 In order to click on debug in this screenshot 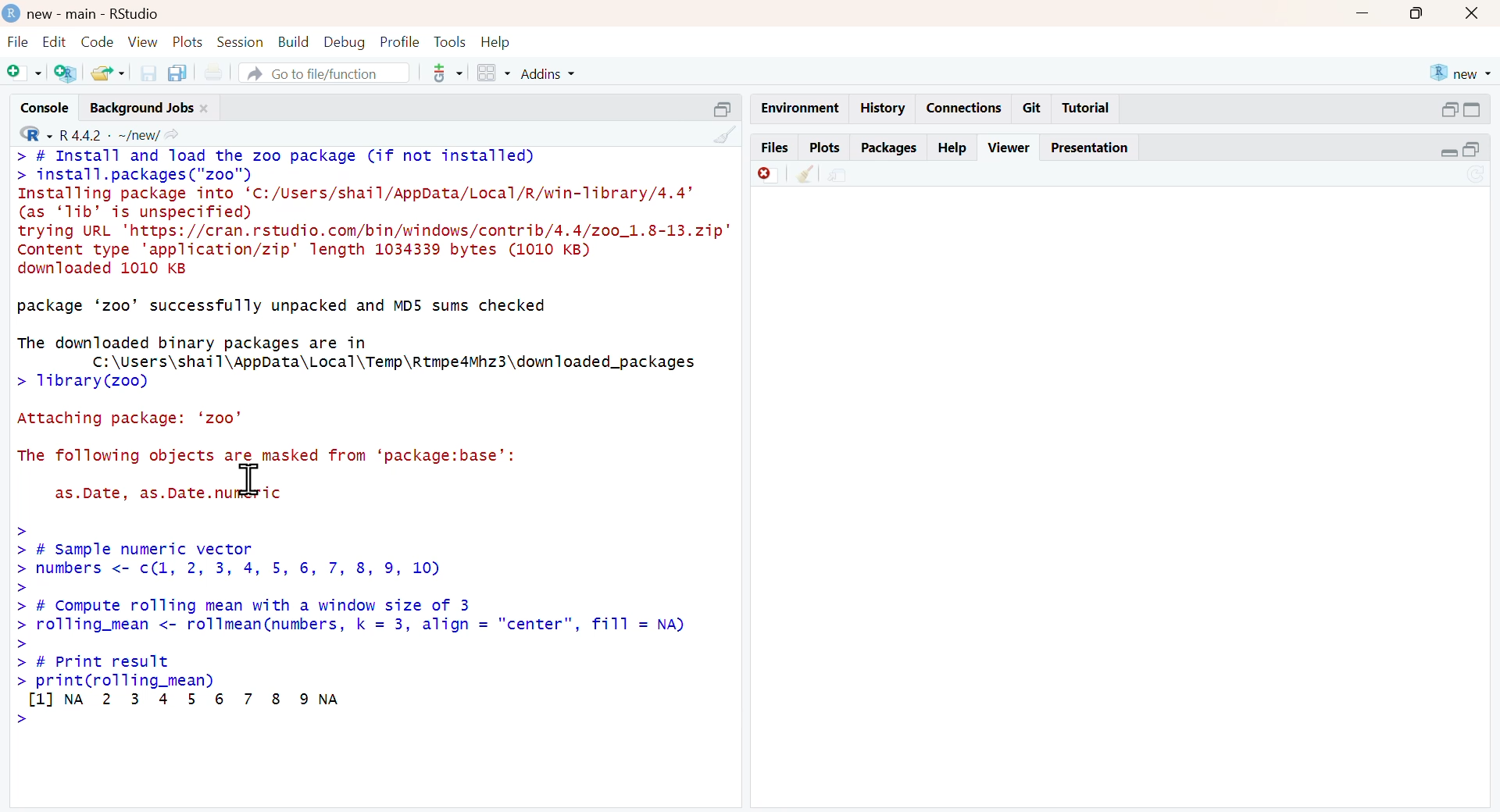, I will do `click(346, 43)`.